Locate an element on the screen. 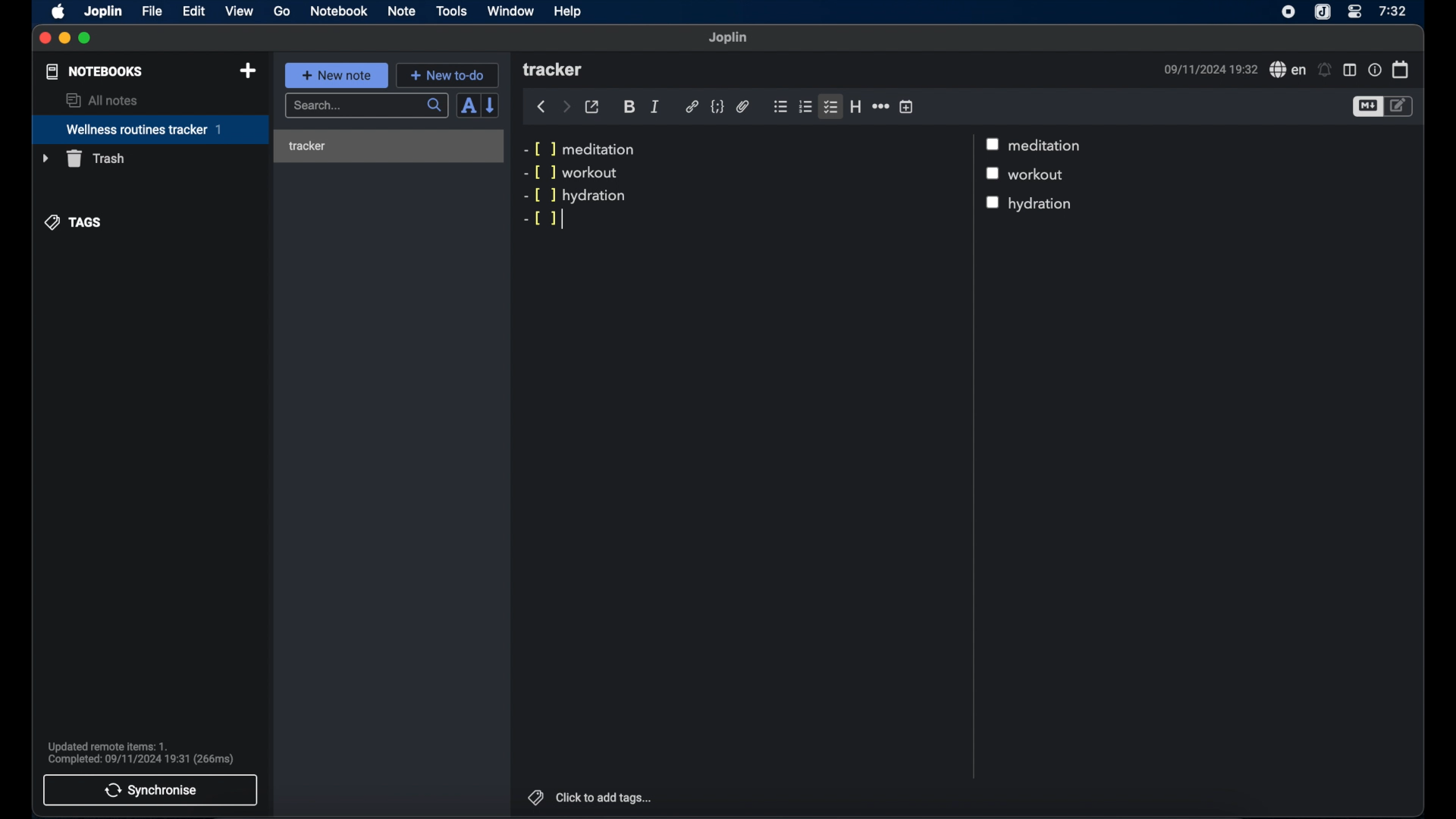 The image size is (1456, 819). tracker is located at coordinates (554, 71).